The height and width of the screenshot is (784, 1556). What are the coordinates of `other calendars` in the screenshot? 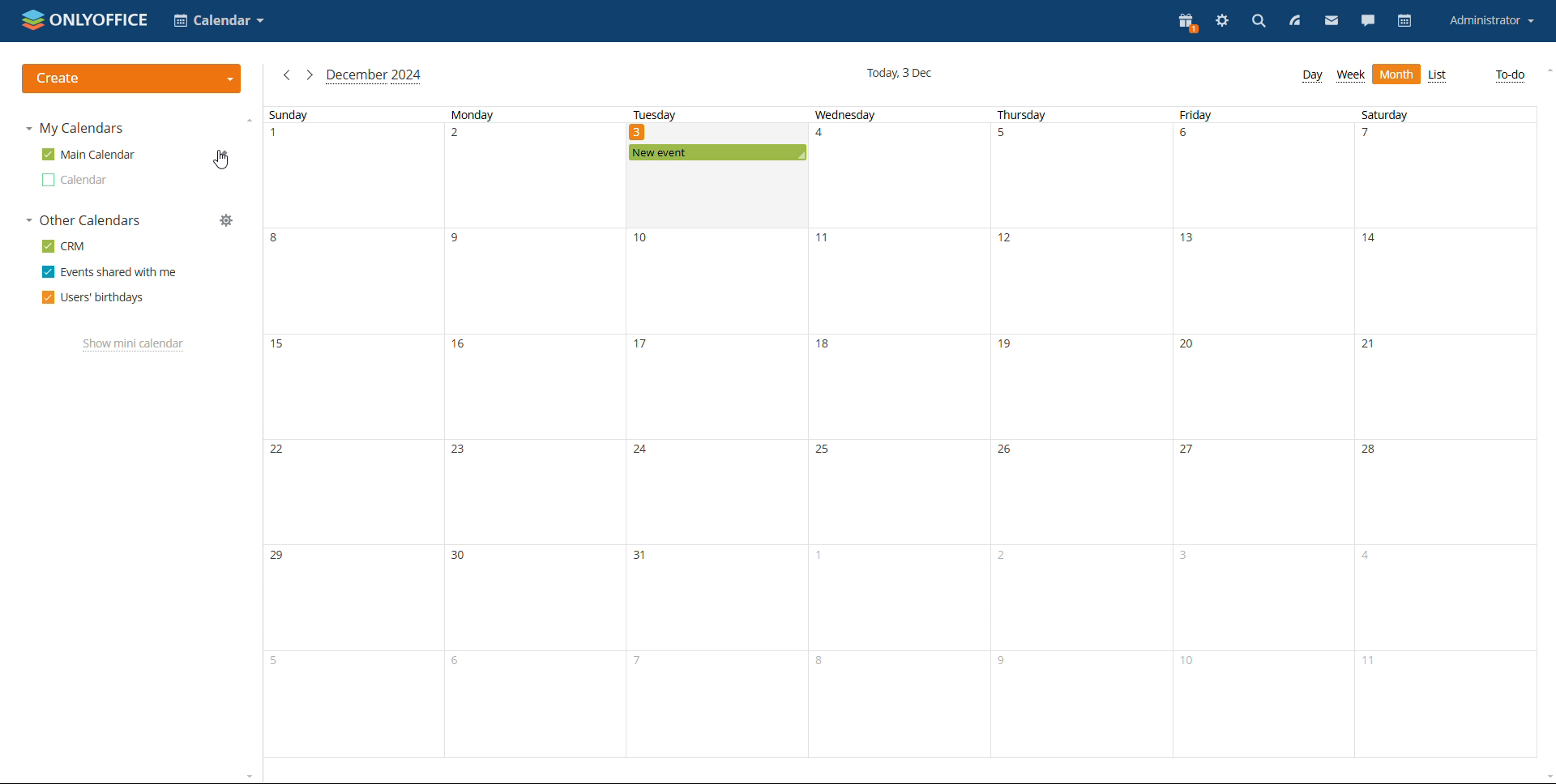 It's located at (83, 221).